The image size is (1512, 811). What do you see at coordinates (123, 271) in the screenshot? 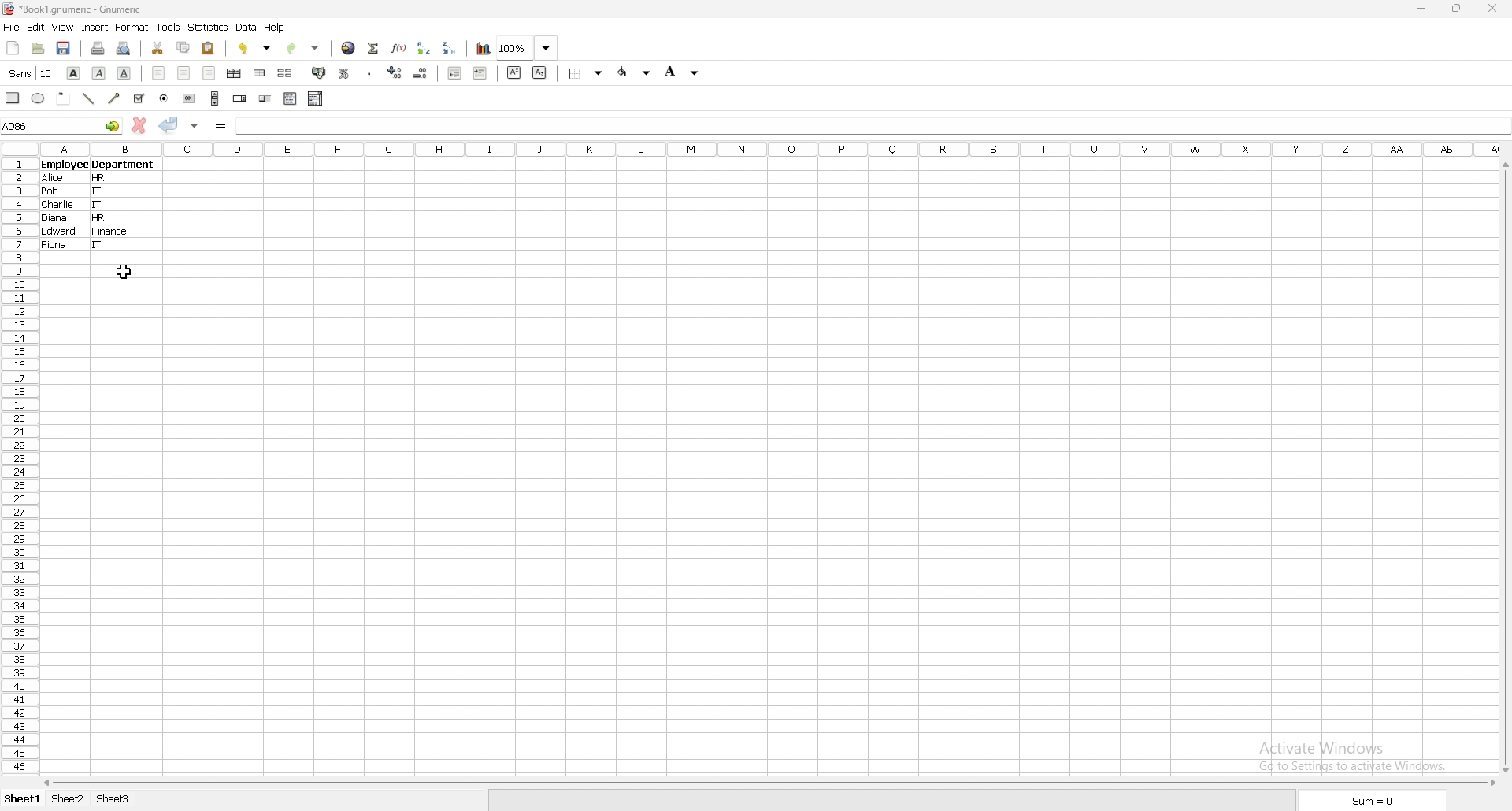
I see `cursor` at bounding box center [123, 271].